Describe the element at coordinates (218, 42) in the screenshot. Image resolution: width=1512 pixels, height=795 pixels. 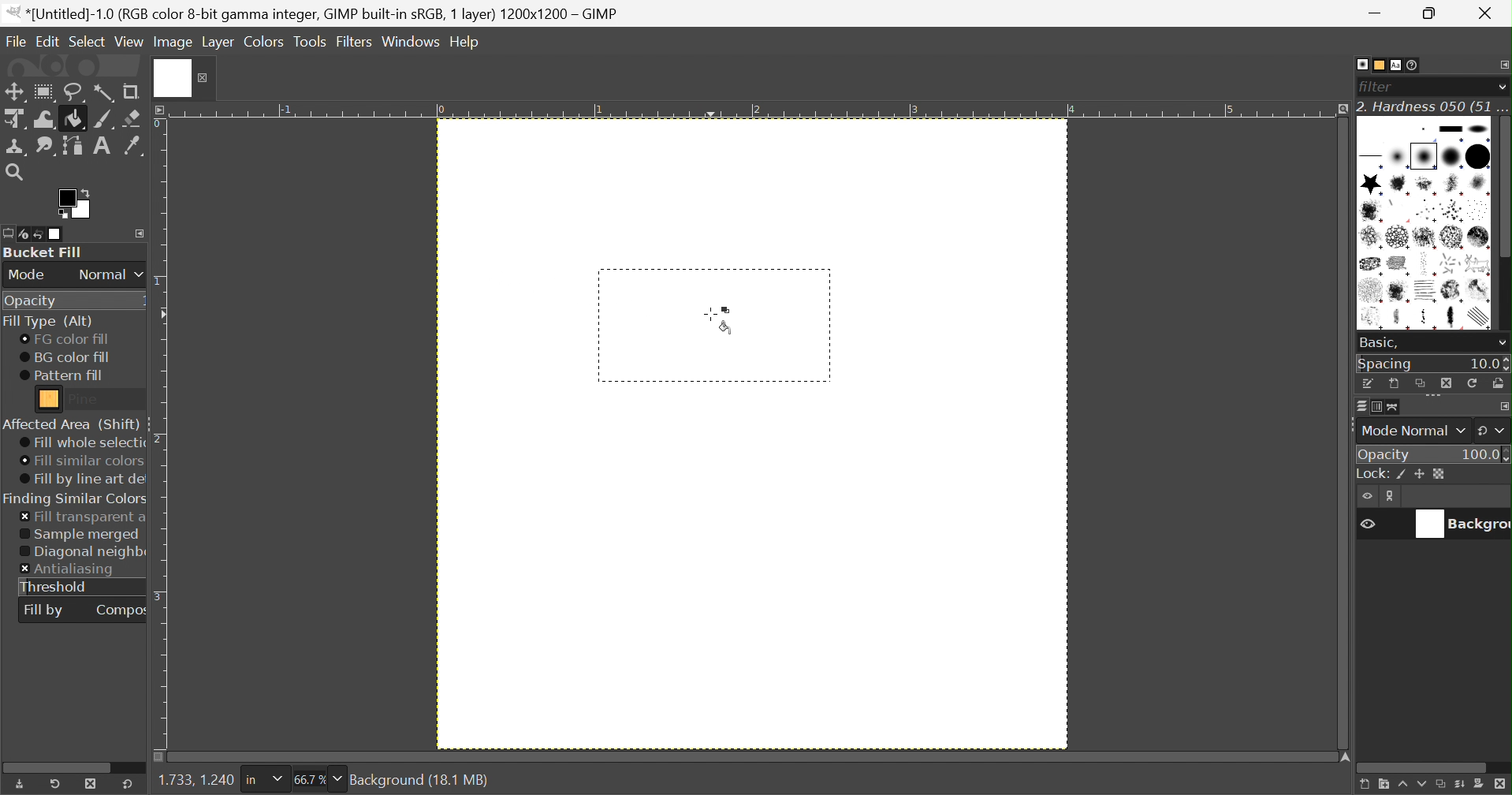
I see `Layer` at that location.